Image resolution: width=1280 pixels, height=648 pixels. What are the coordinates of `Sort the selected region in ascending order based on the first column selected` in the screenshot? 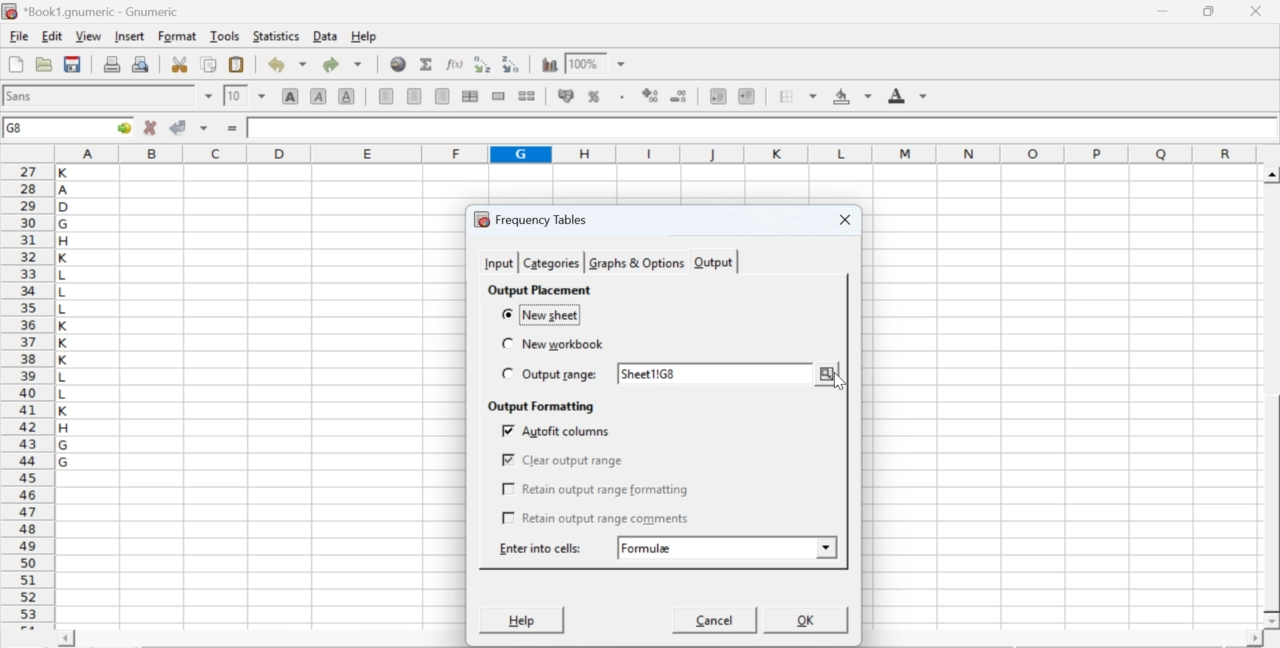 It's located at (485, 64).